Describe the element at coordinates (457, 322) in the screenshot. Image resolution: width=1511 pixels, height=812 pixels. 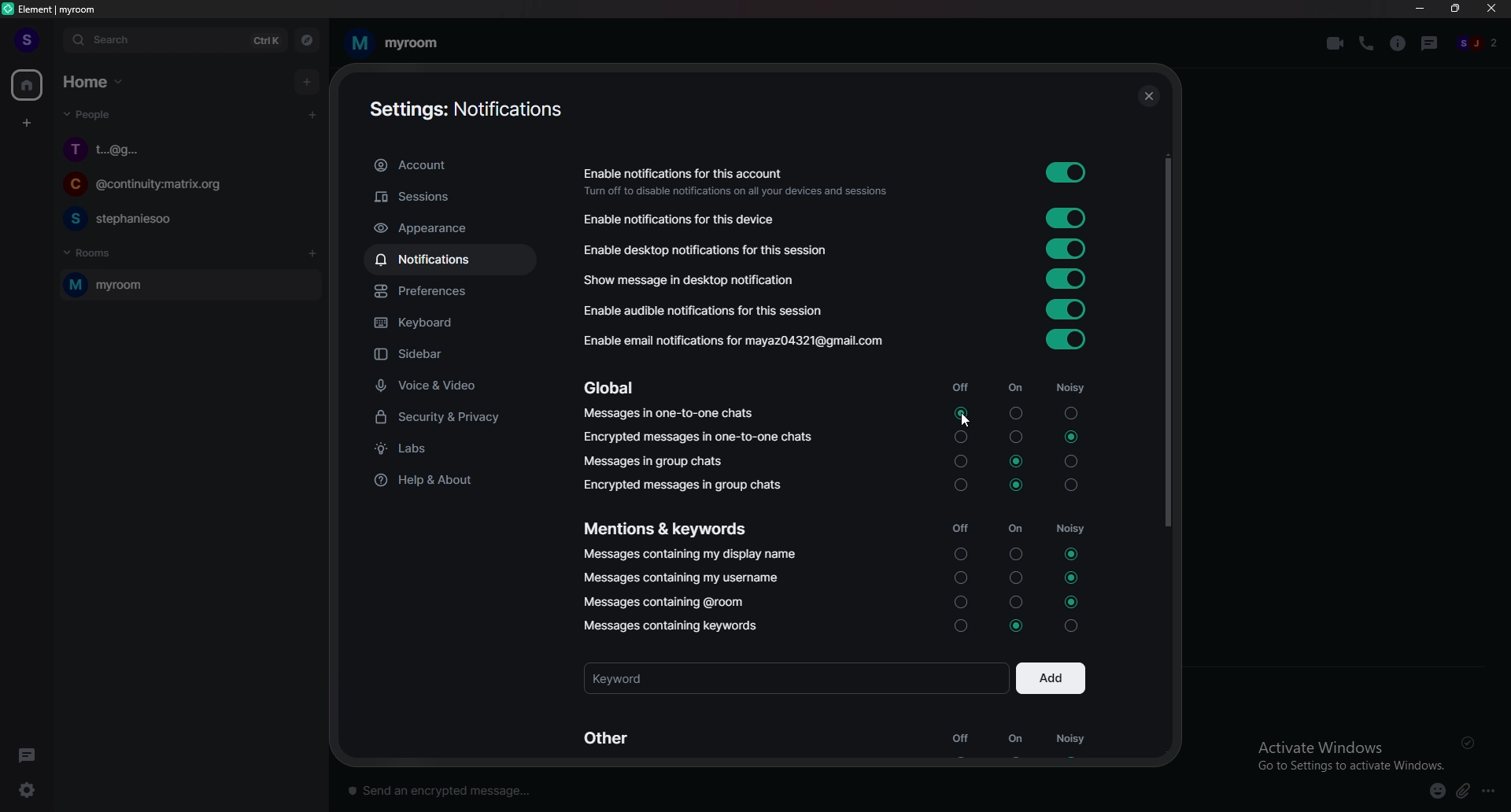
I see `keyboard` at that location.